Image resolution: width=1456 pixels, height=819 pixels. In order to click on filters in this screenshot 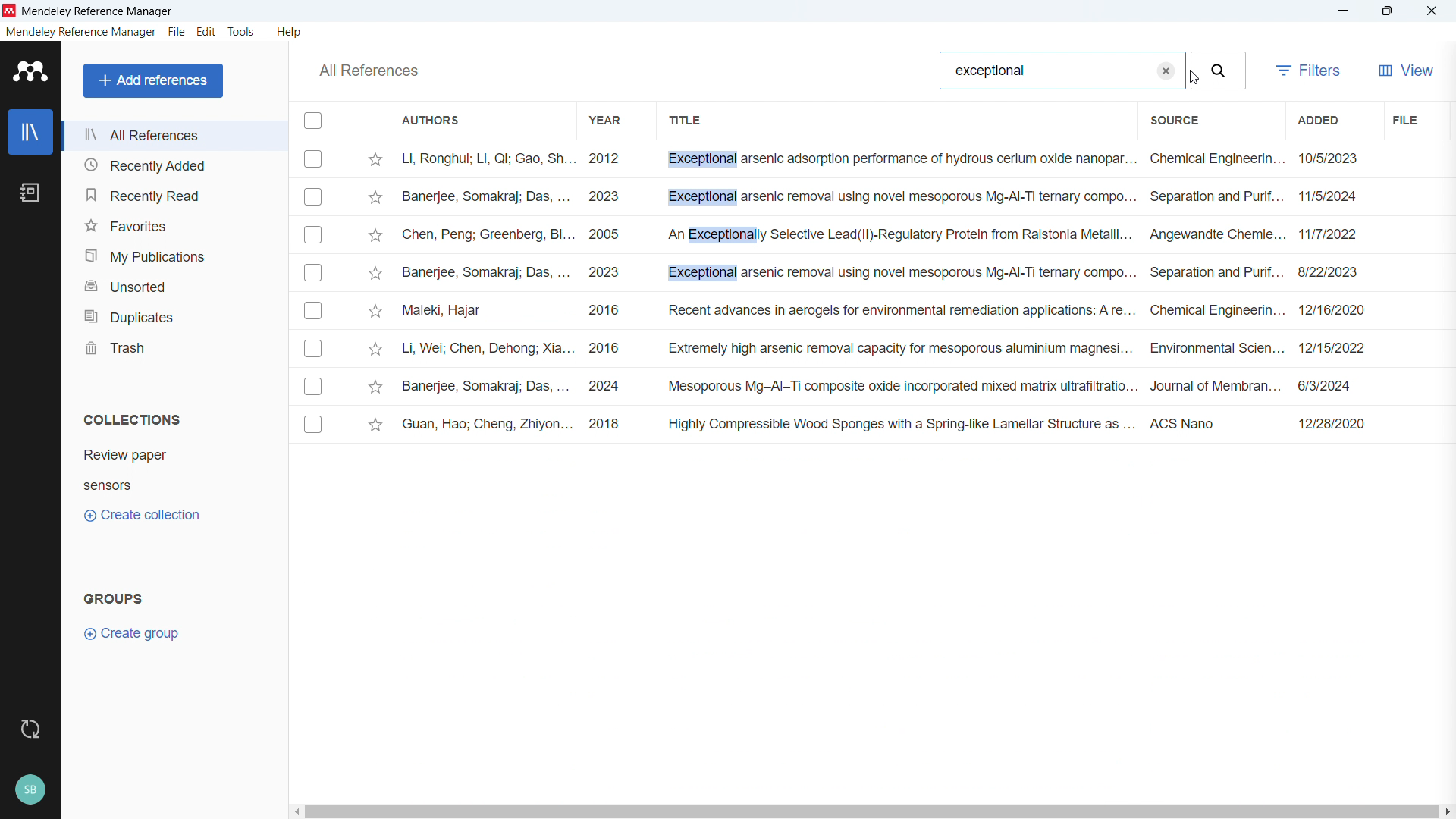, I will do `click(1307, 71)`.